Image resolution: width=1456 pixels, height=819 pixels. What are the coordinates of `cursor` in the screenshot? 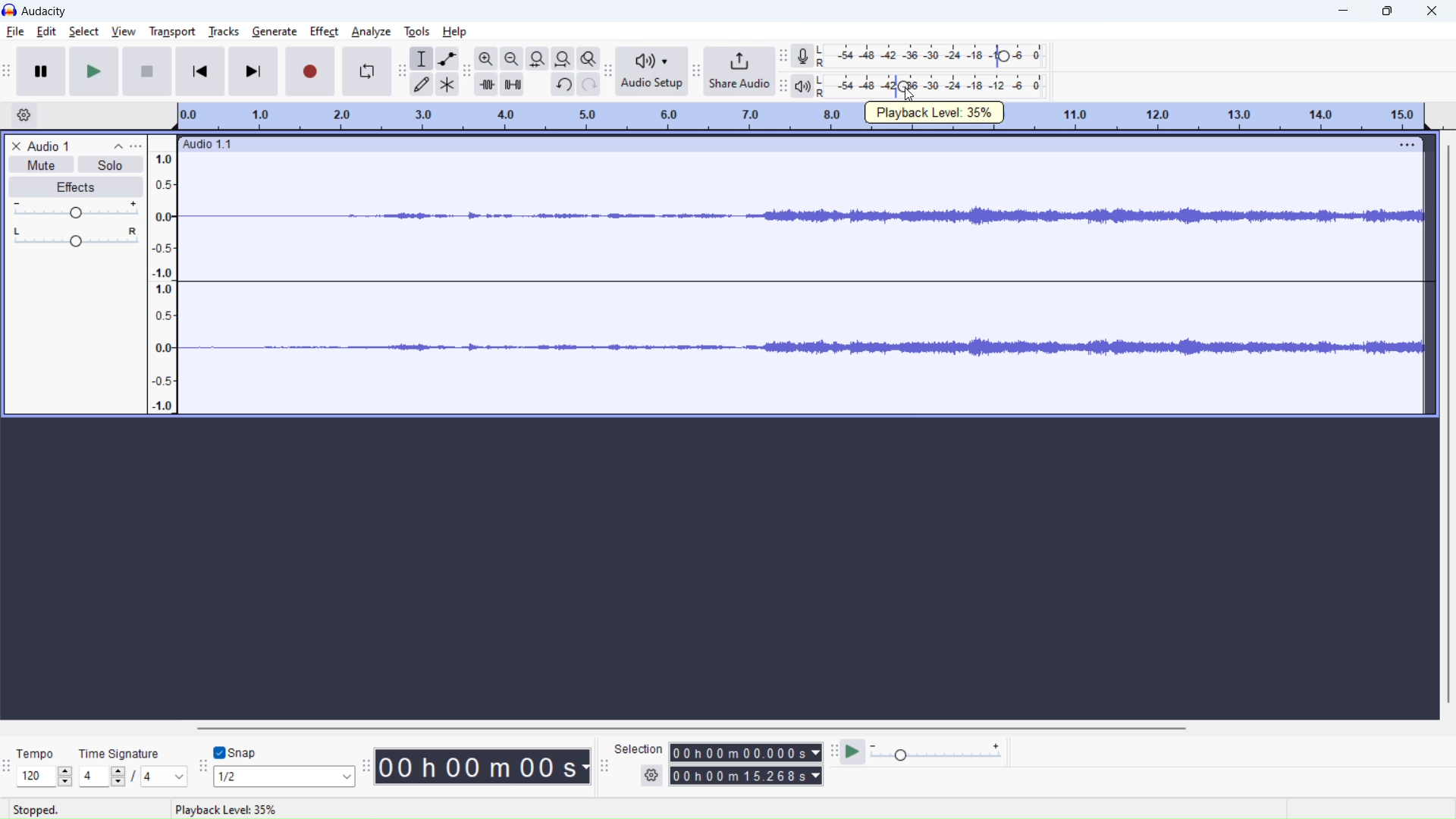 It's located at (910, 95).